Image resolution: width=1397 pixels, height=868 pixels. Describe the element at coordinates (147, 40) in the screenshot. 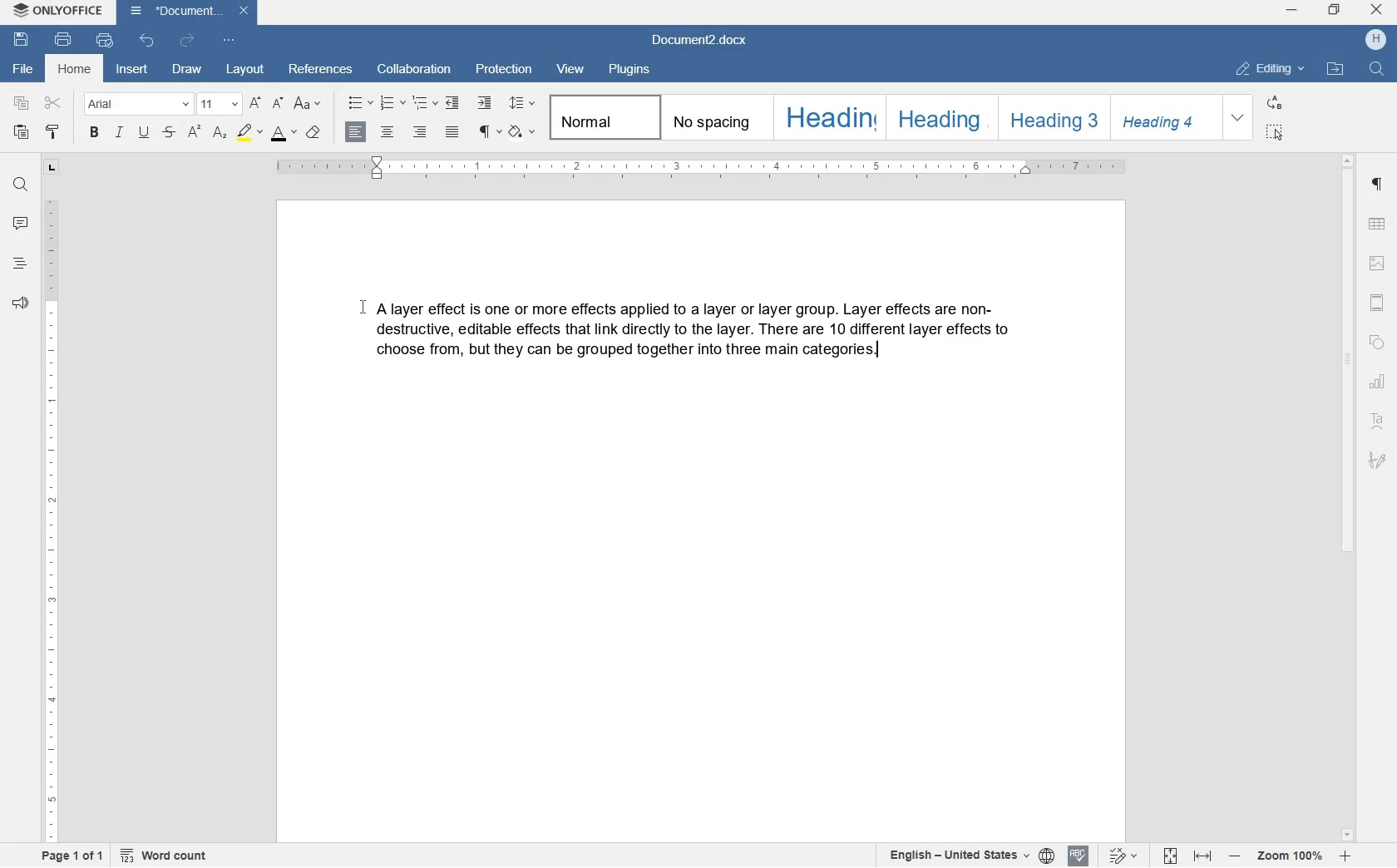

I see `undo` at that location.